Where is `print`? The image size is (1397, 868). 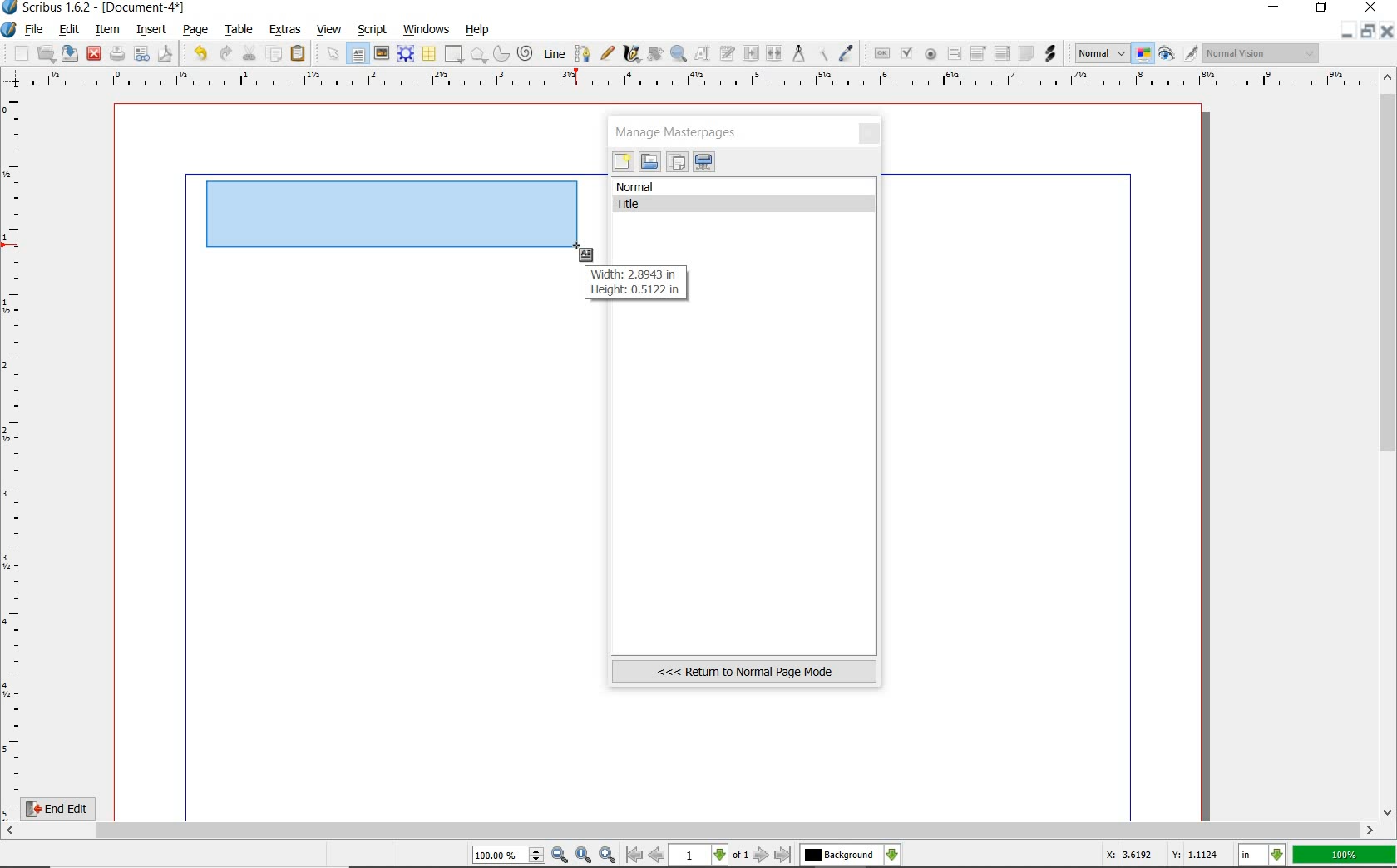
print is located at coordinates (117, 53).